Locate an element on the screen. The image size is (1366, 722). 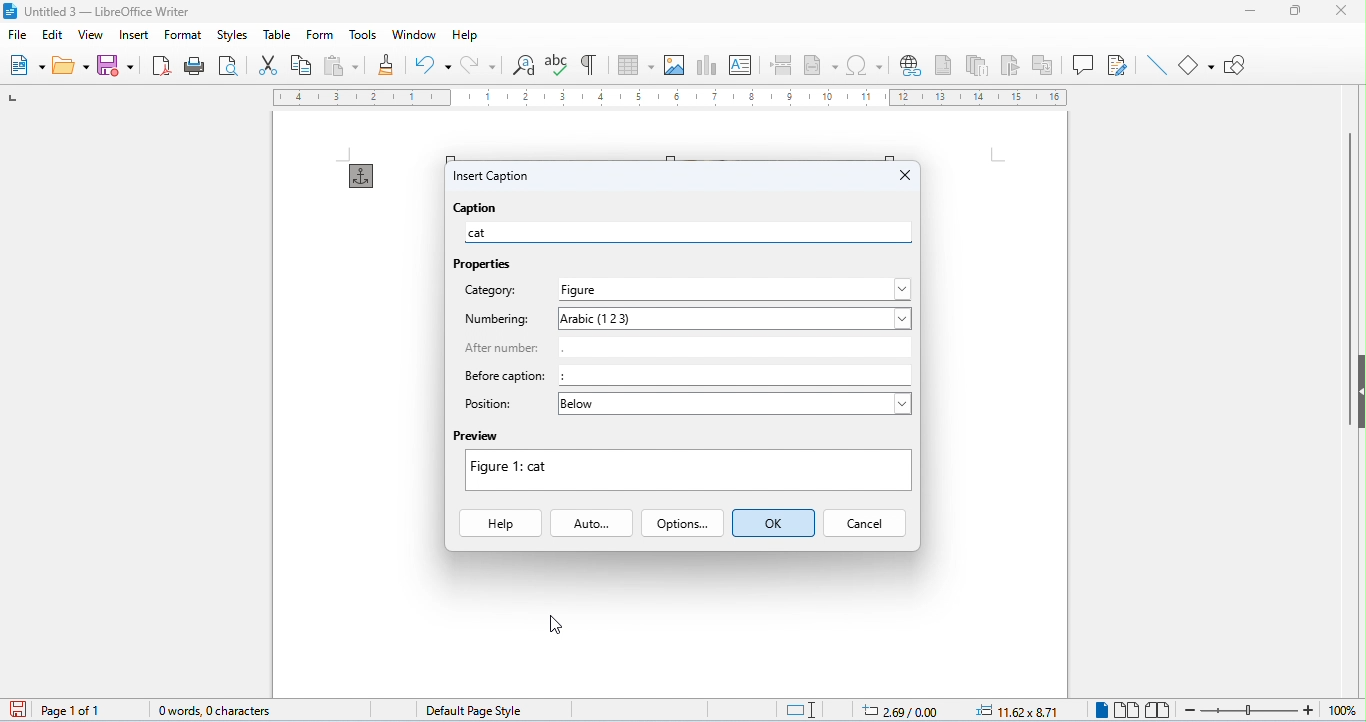
auto is located at coordinates (593, 523).